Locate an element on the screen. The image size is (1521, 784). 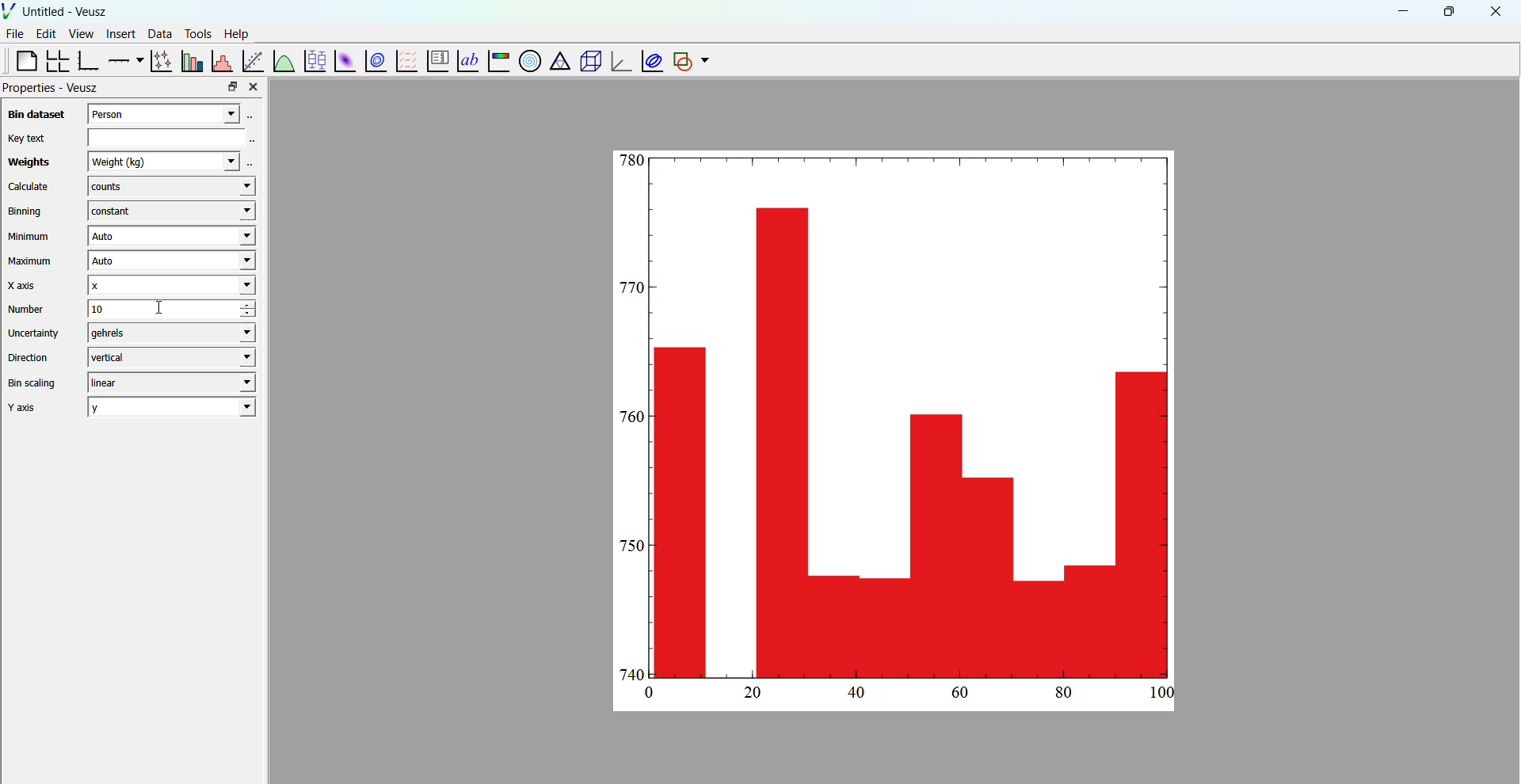
Bin Dataset is located at coordinates (34, 114).